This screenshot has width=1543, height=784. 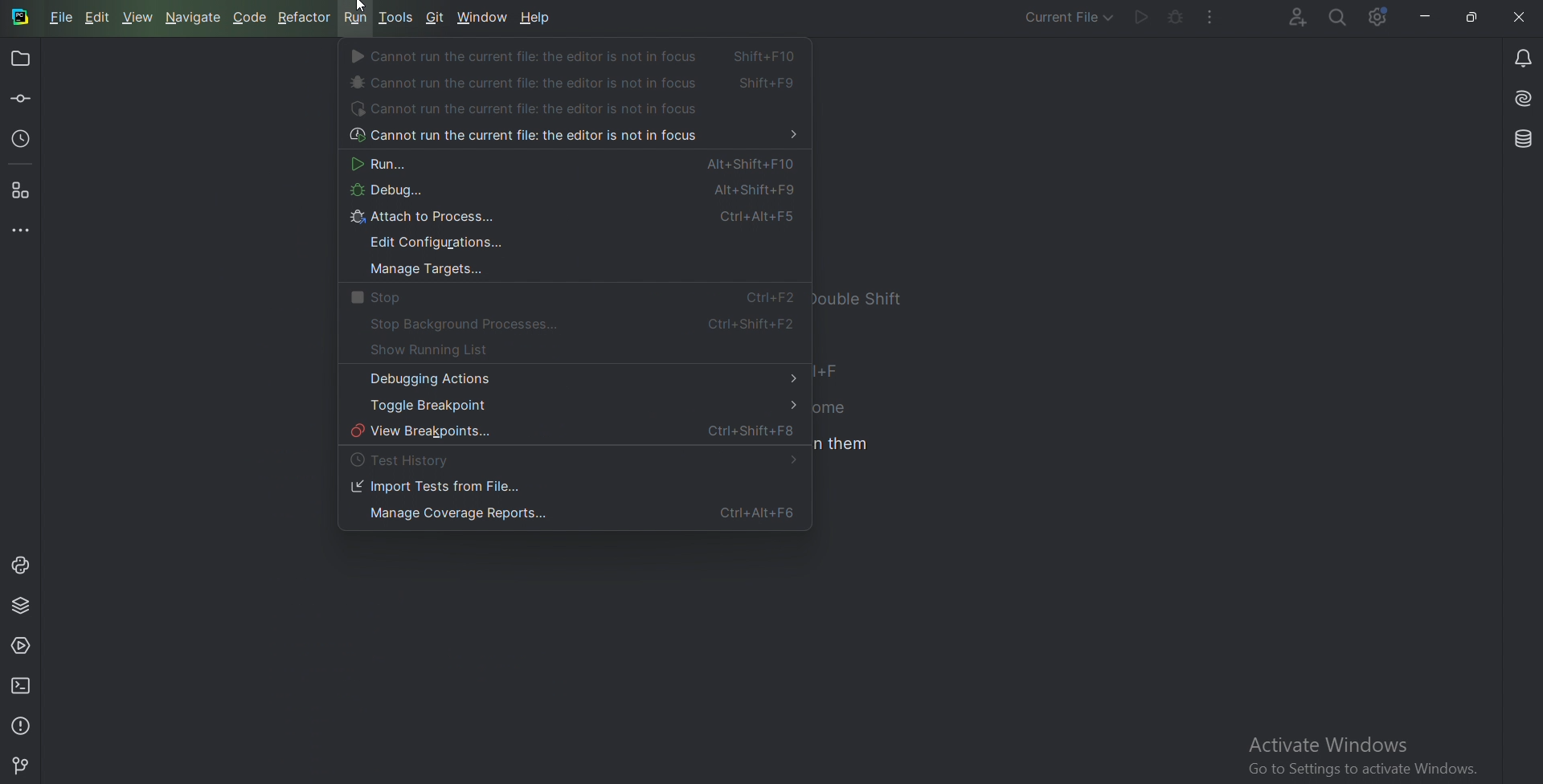 What do you see at coordinates (577, 406) in the screenshot?
I see `Toggle breakpoint` at bounding box center [577, 406].